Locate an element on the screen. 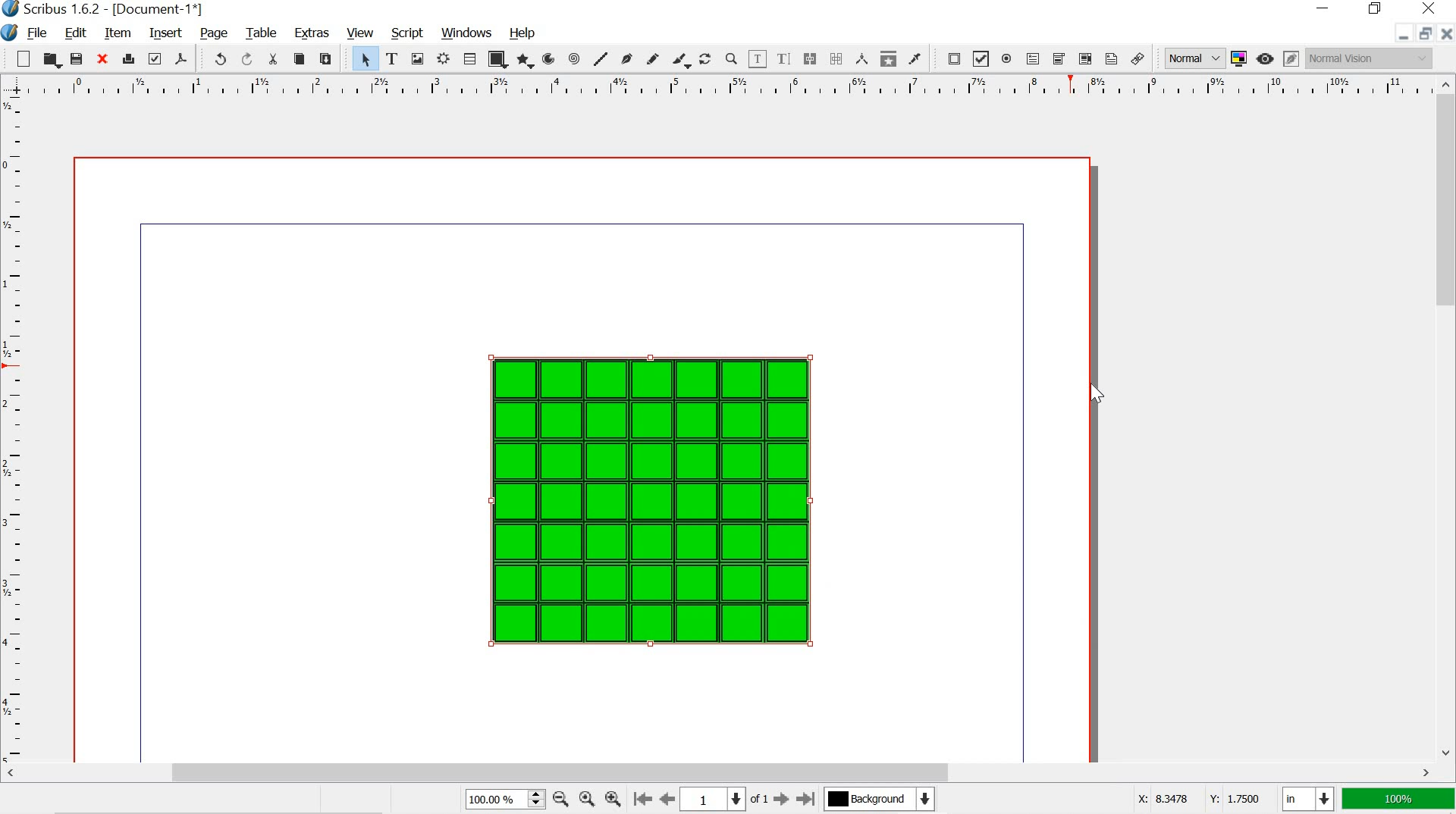 The height and width of the screenshot is (814, 1456). table is located at coordinates (261, 32).